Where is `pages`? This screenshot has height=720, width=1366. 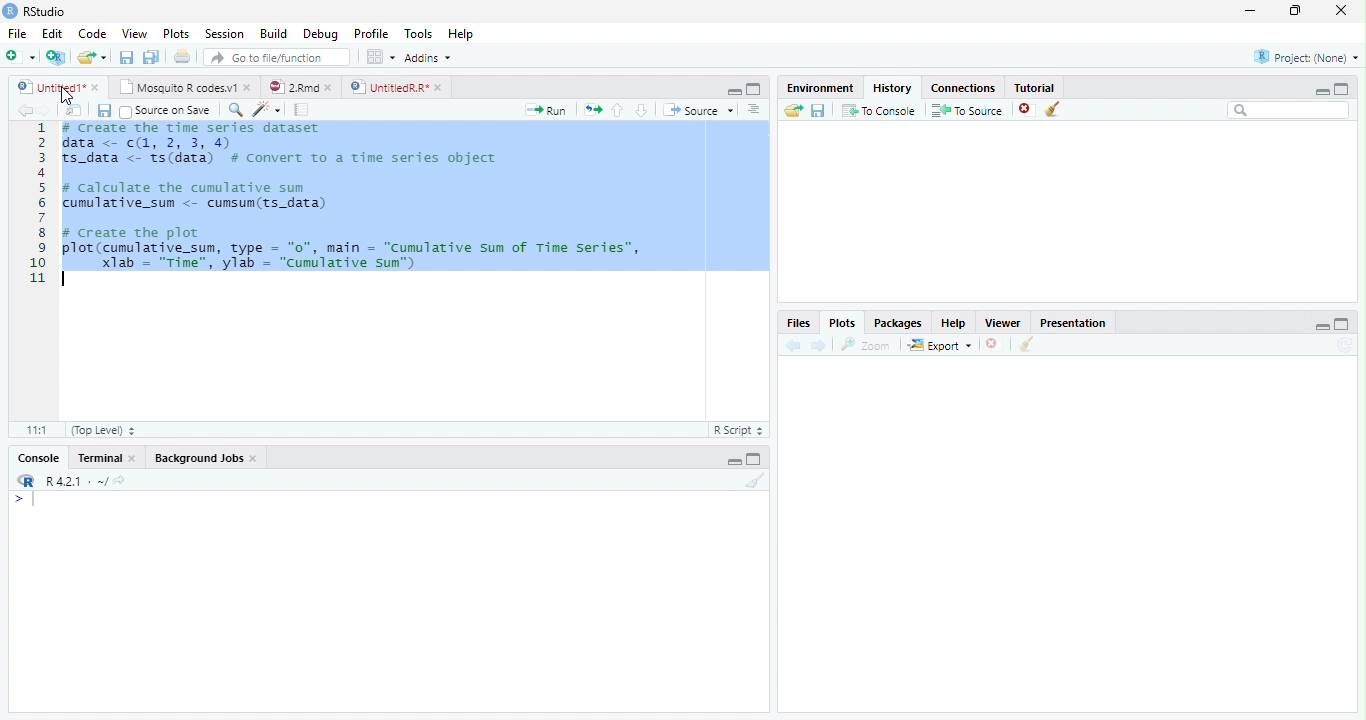
pages is located at coordinates (299, 112).